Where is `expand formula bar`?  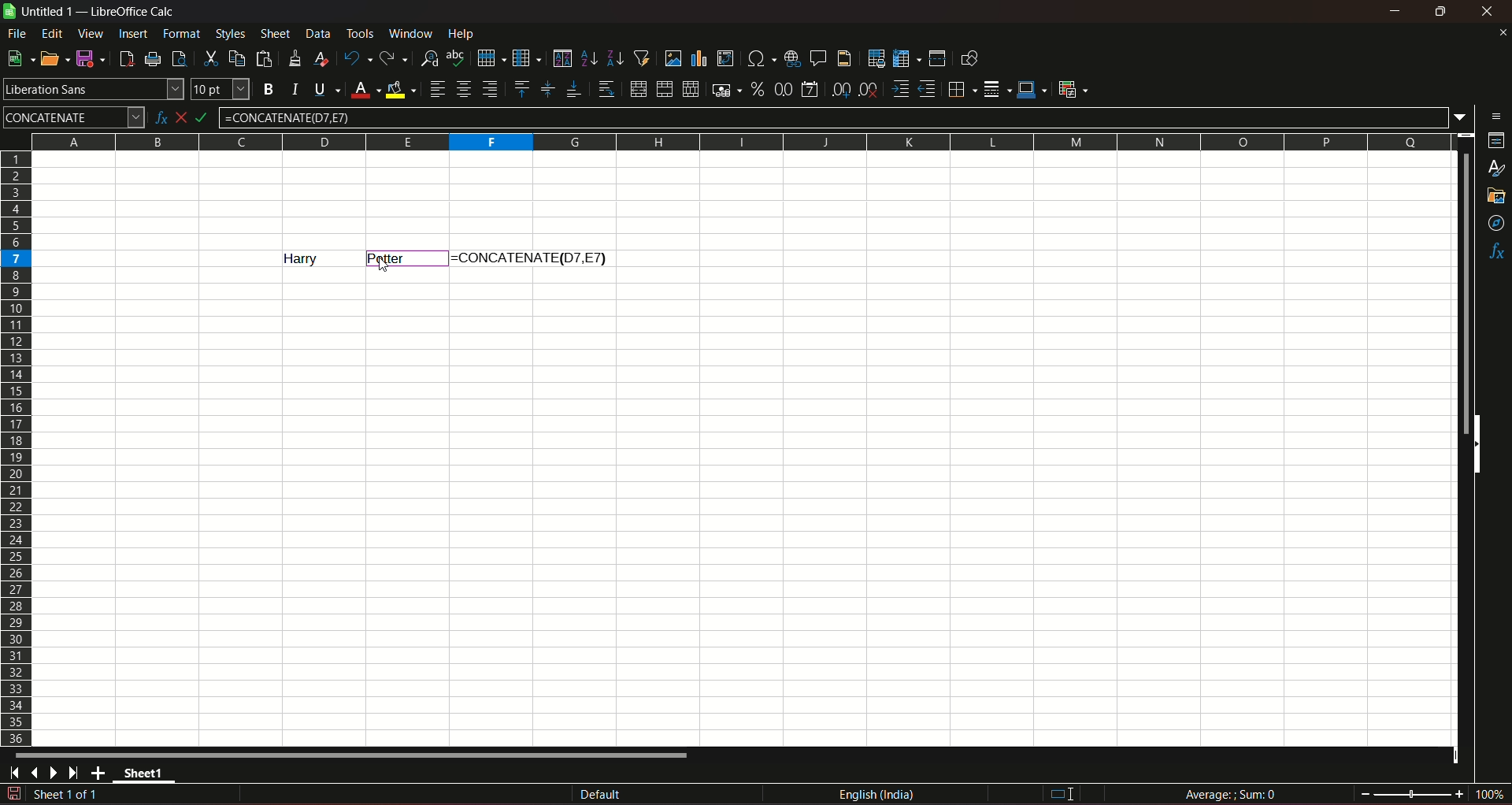
expand formula bar is located at coordinates (1464, 116).